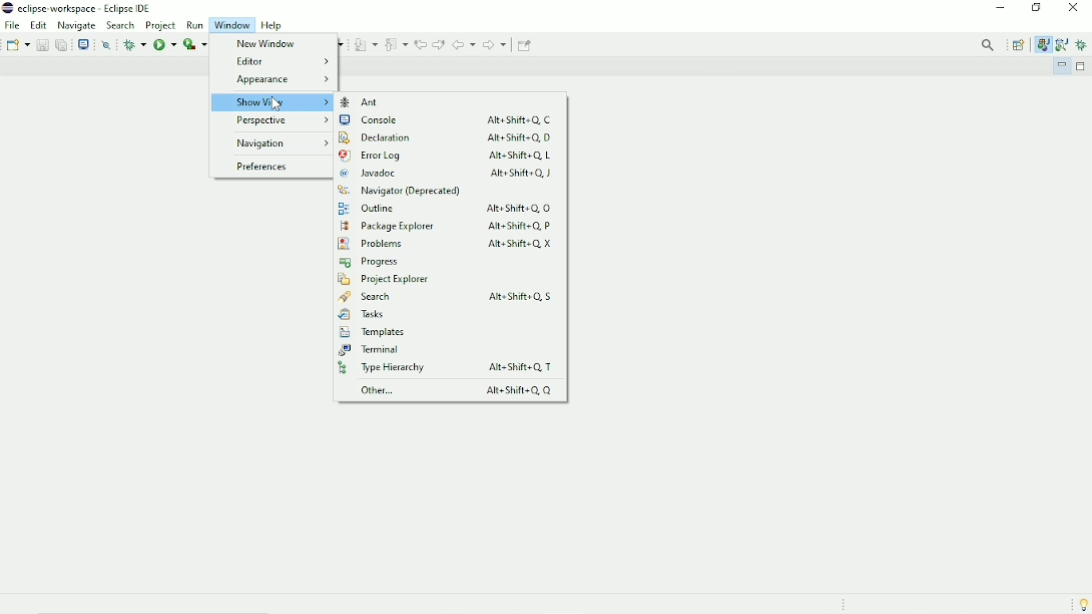  What do you see at coordinates (1040, 9) in the screenshot?
I see `Restore ` at bounding box center [1040, 9].